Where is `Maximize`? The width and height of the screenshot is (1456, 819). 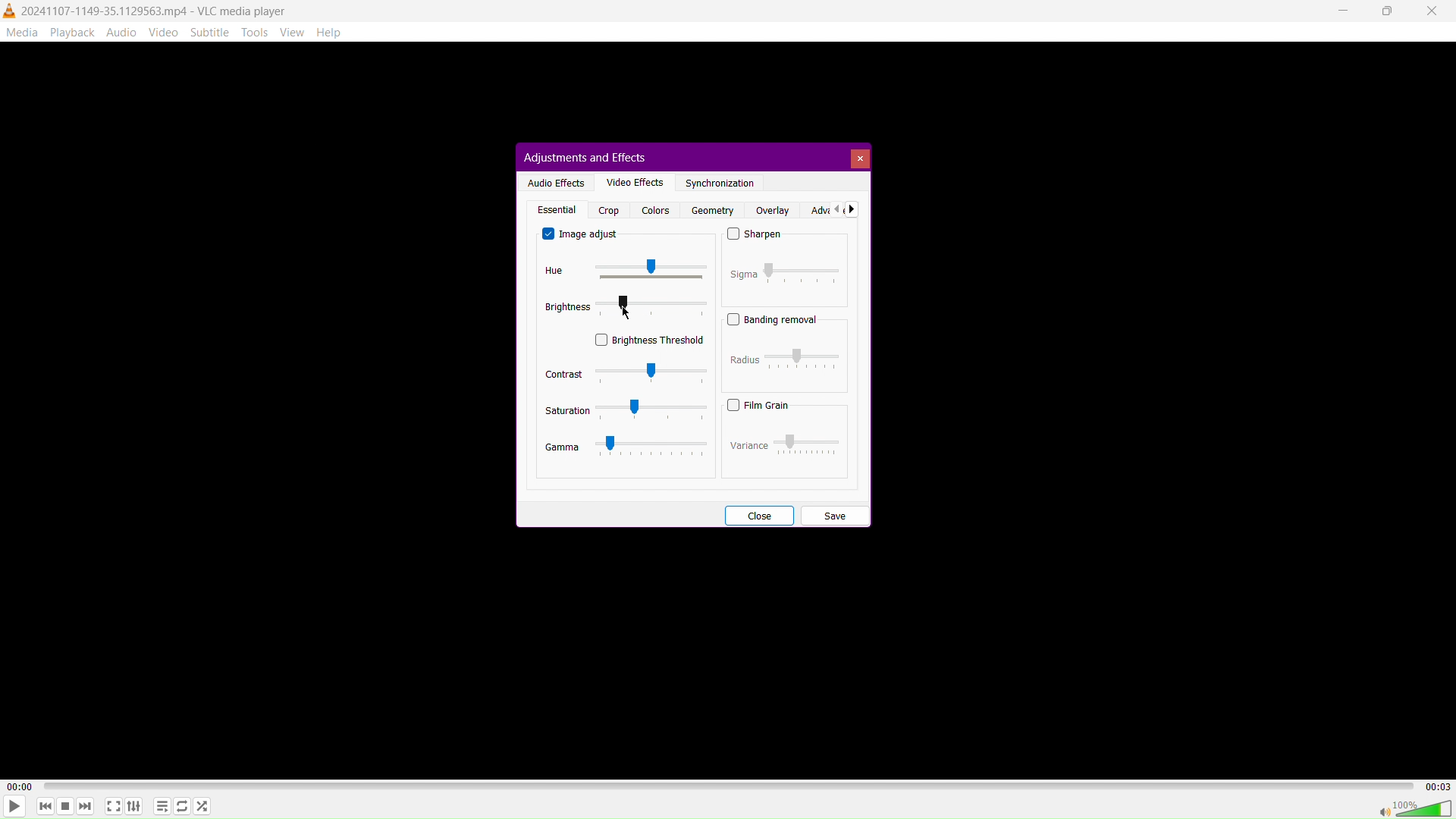 Maximize is located at coordinates (1387, 11).